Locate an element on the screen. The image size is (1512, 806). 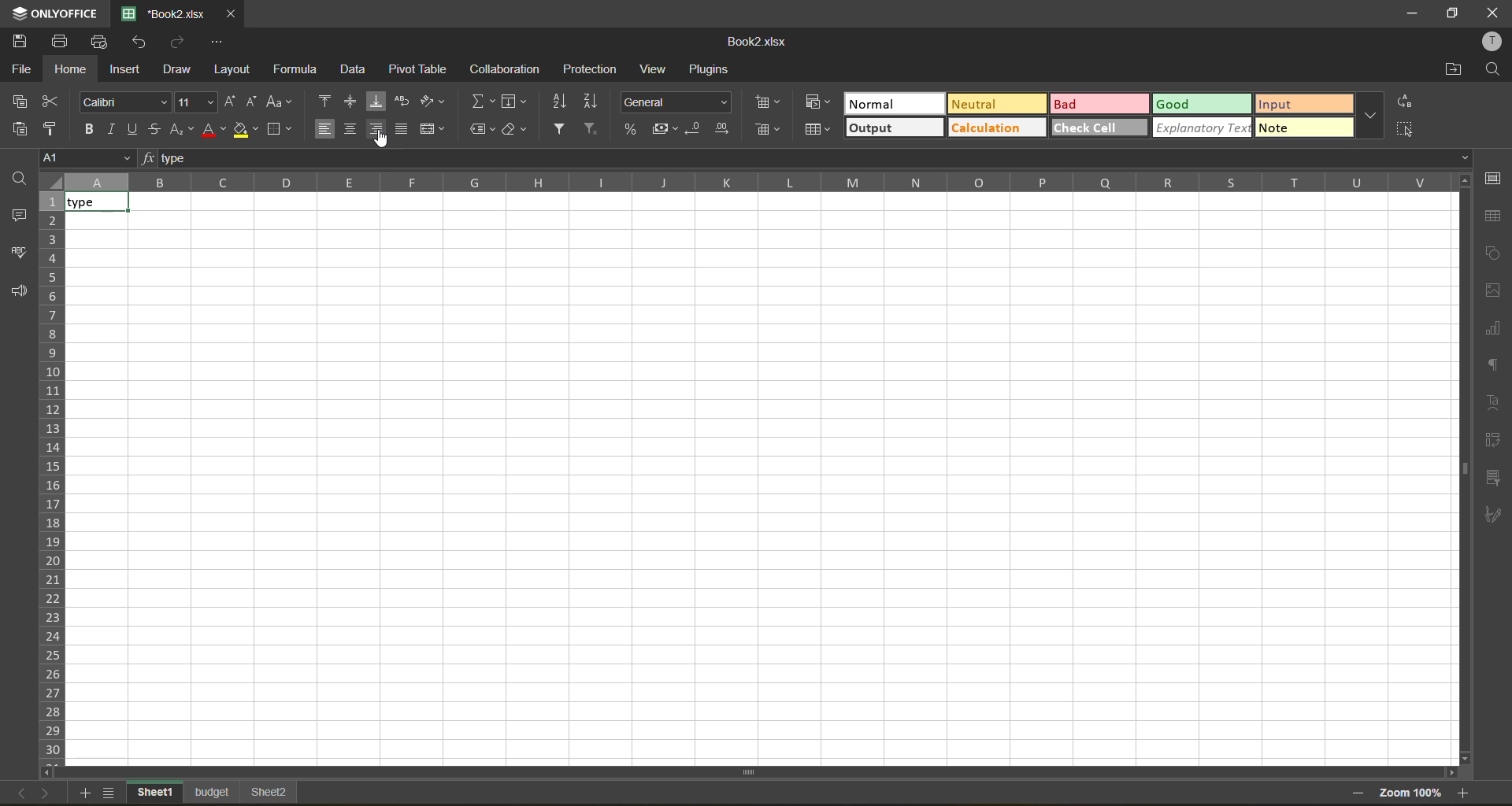
redo is located at coordinates (179, 44).